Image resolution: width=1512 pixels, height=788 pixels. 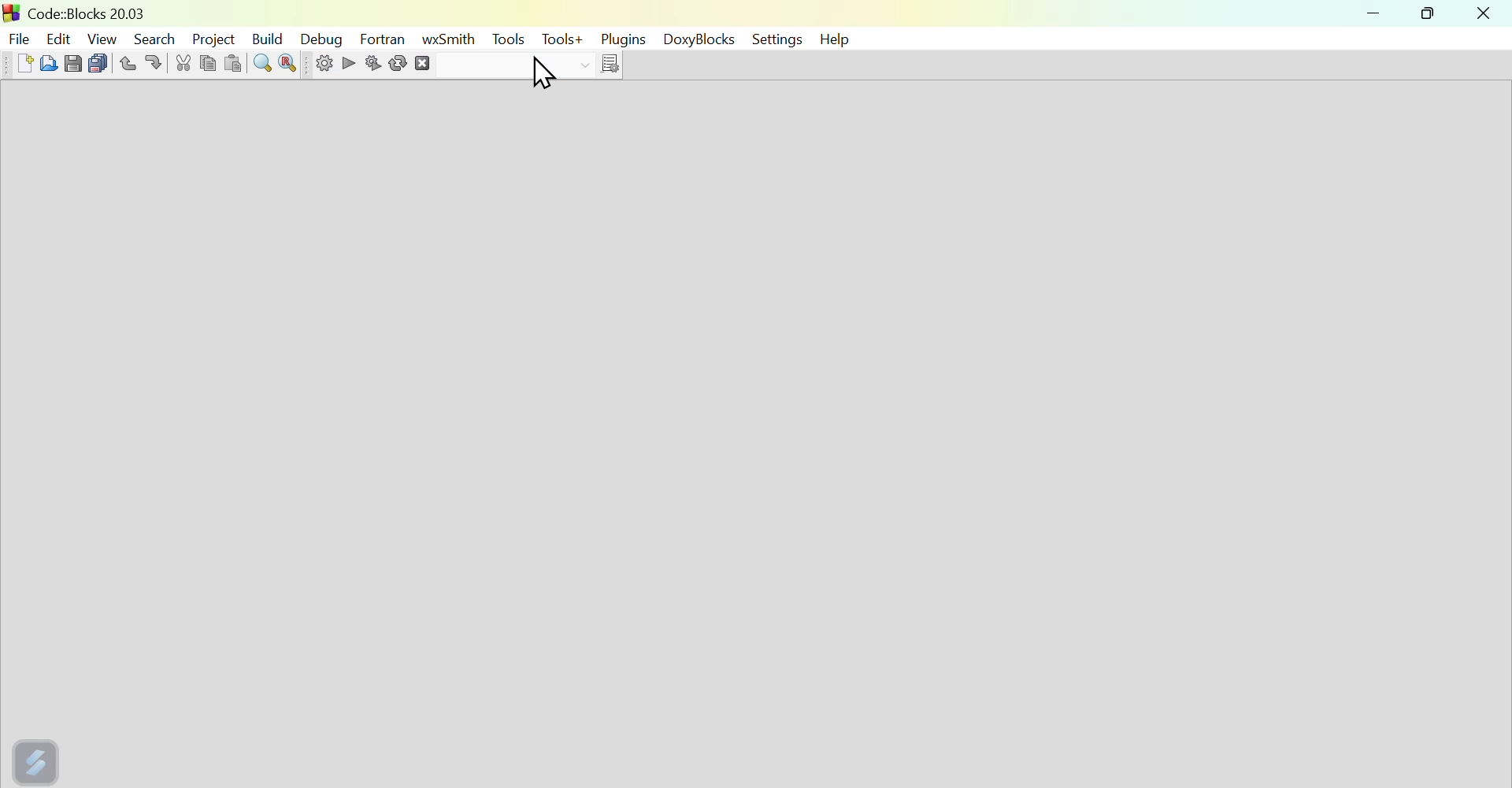 I want to click on Play, so click(x=347, y=61).